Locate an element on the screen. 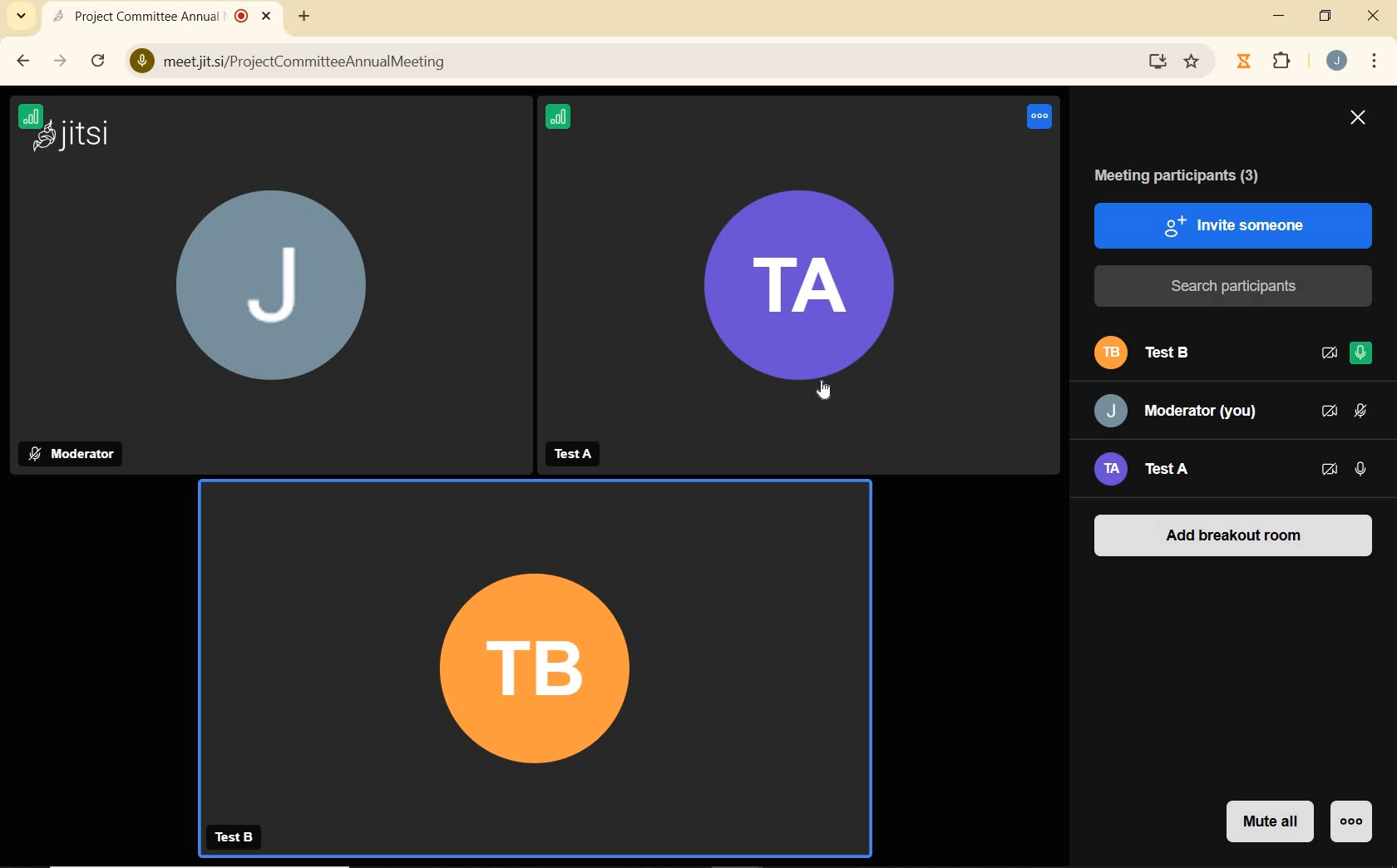  ADD NEW TAB is located at coordinates (303, 16).